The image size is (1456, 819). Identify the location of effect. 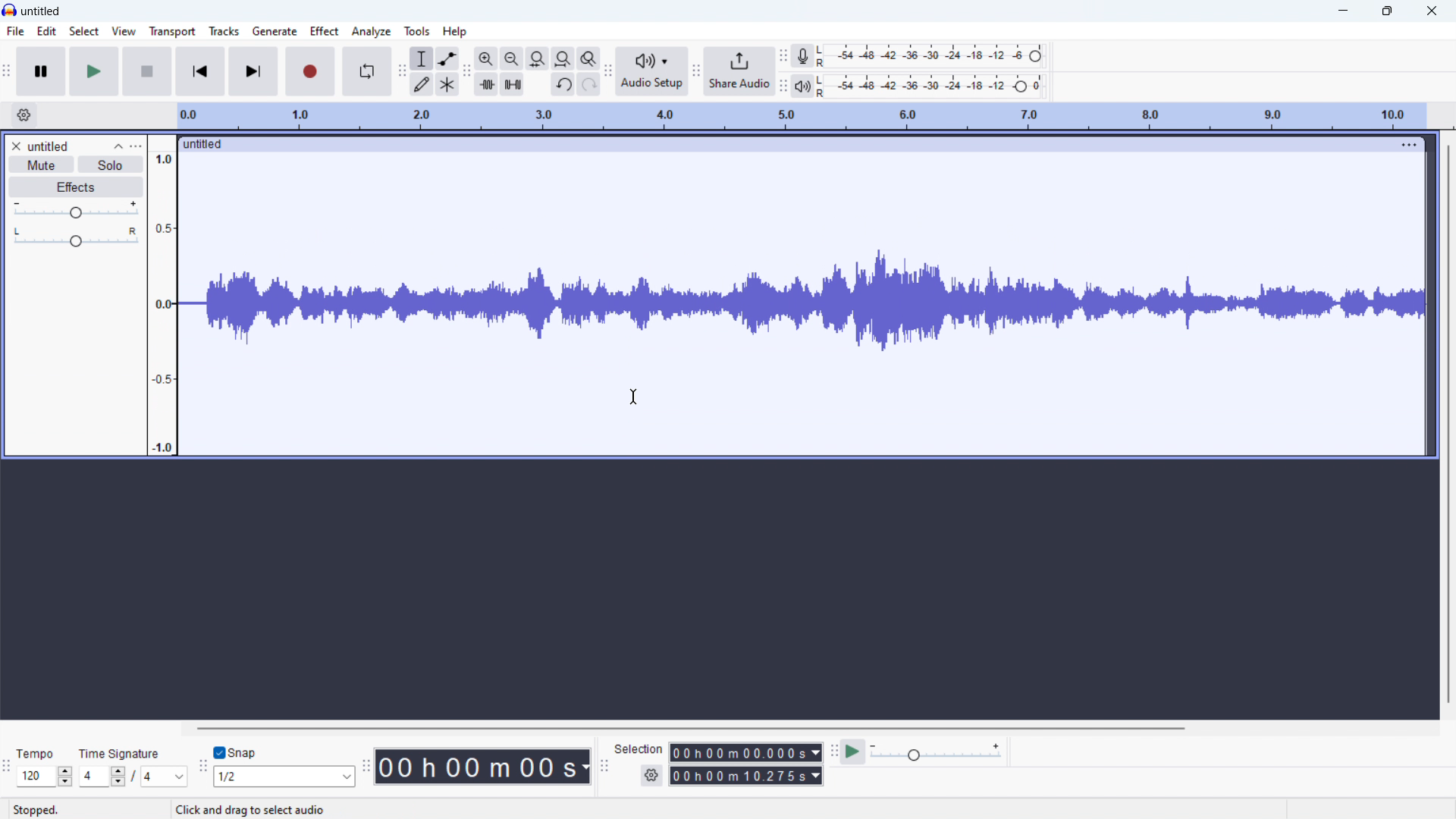
(323, 31).